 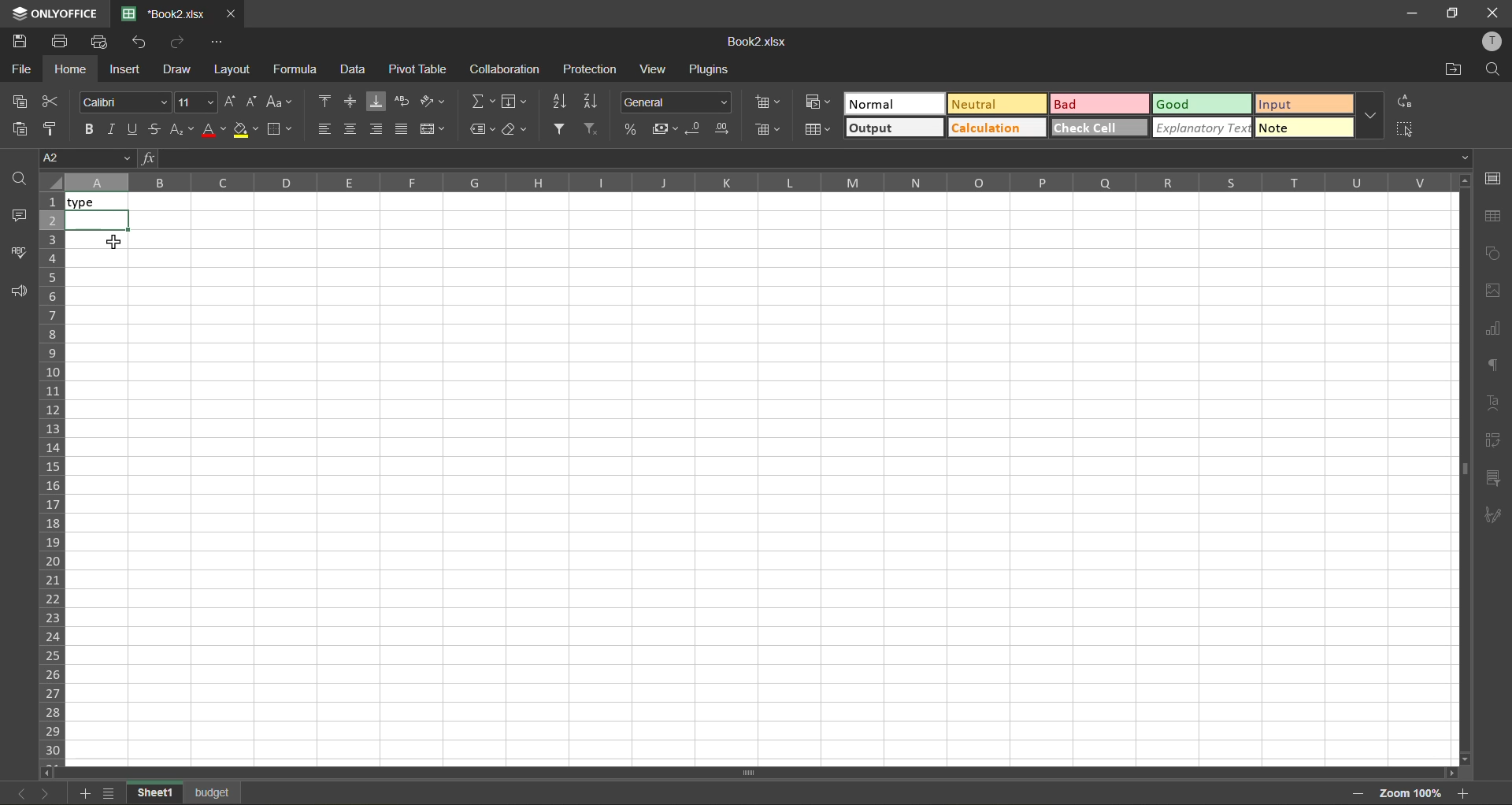 I want to click on profile, so click(x=1492, y=41).